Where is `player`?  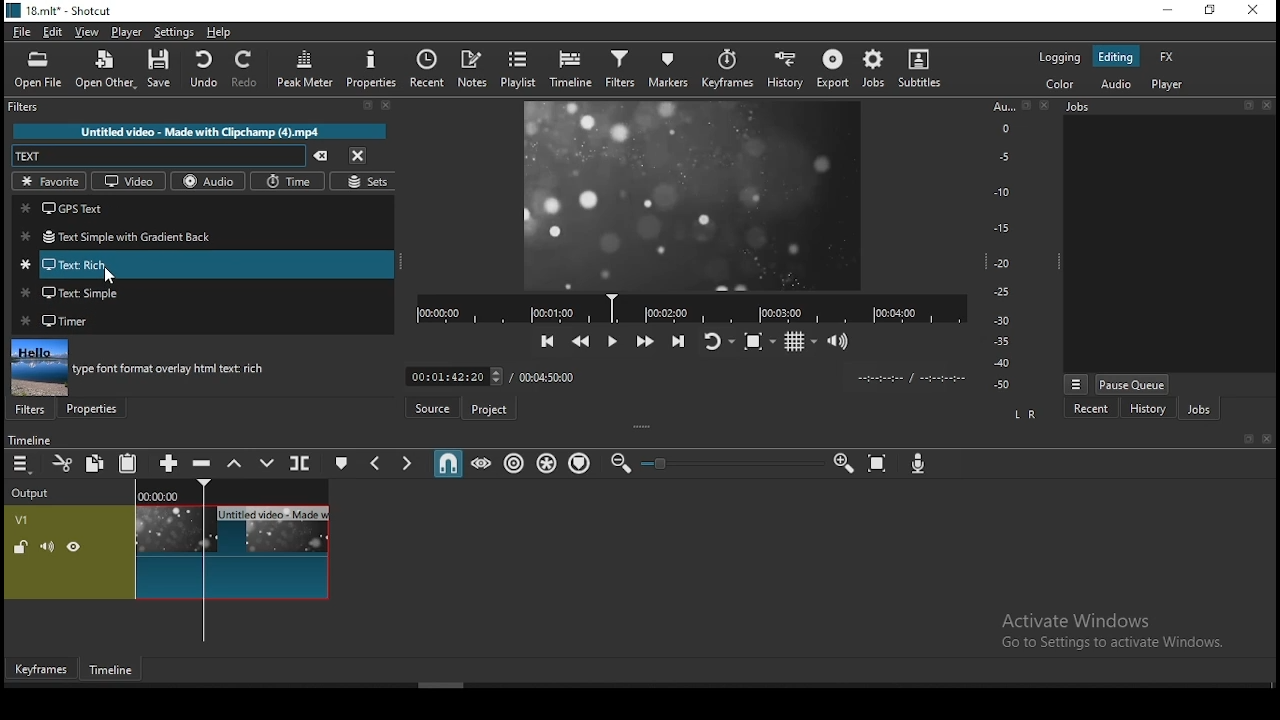
player is located at coordinates (1170, 84).